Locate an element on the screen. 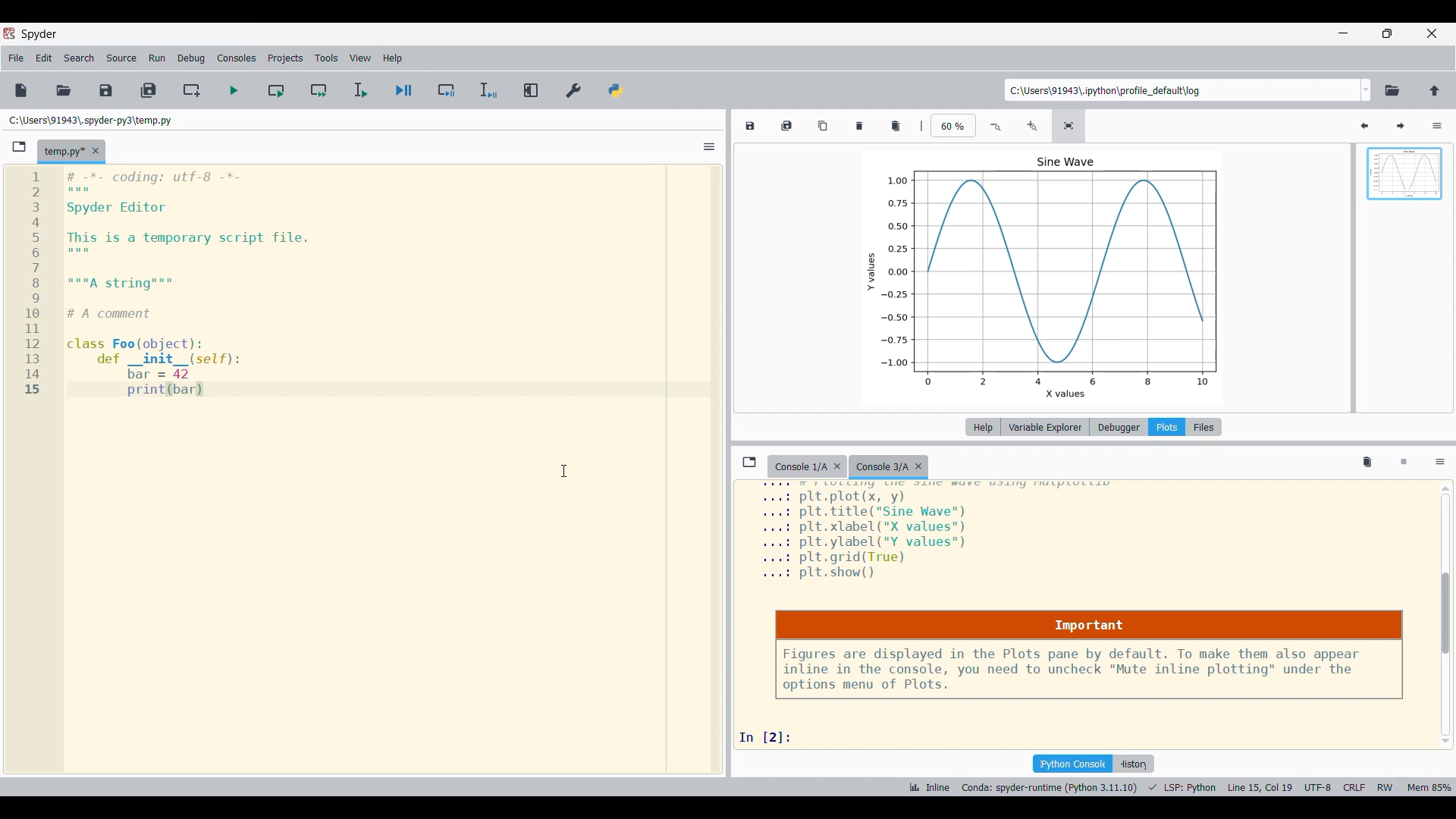 Image resolution: width=1456 pixels, height=819 pixels. Run menu is located at coordinates (157, 57).